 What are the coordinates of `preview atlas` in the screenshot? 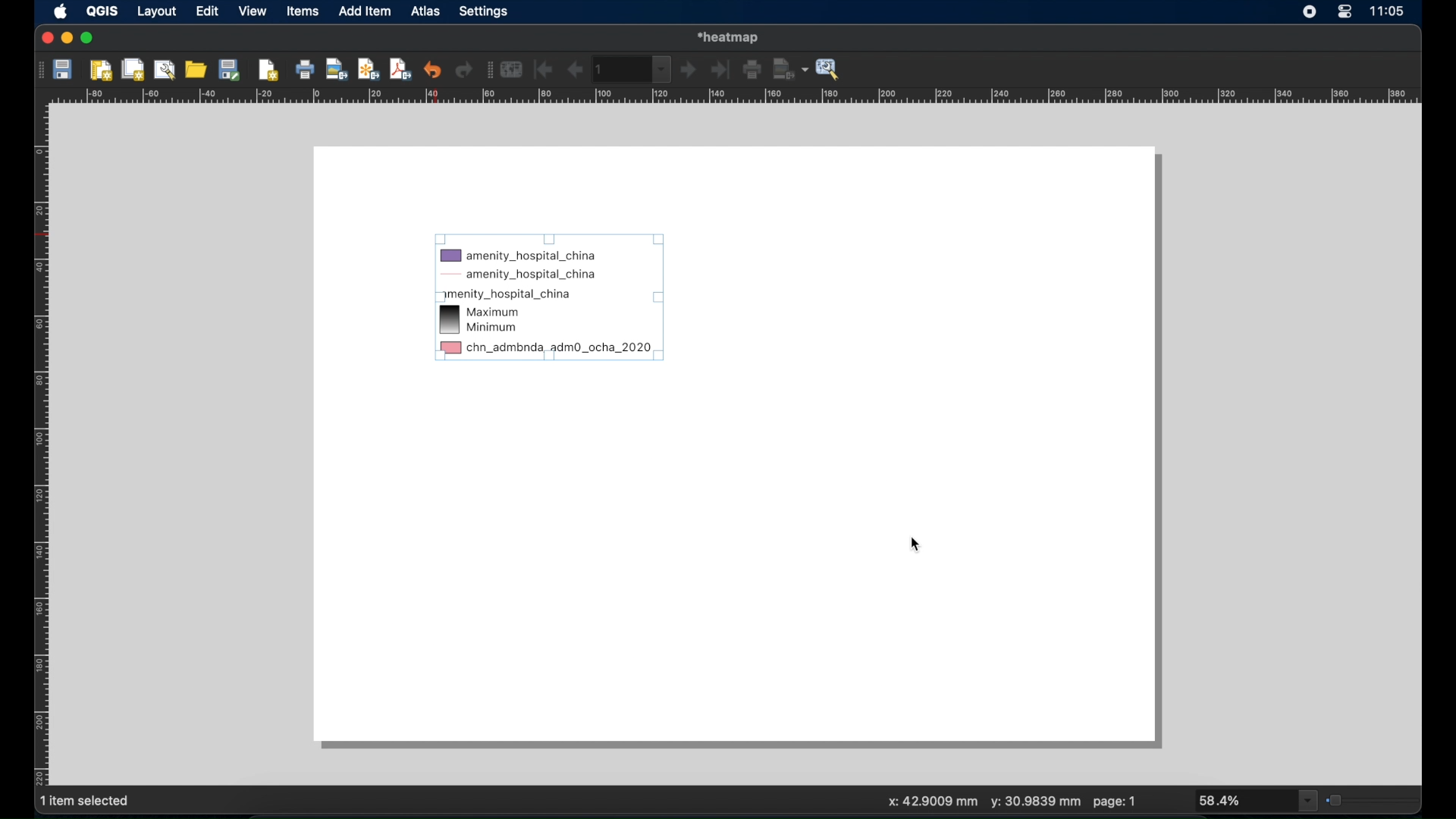 It's located at (513, 70).